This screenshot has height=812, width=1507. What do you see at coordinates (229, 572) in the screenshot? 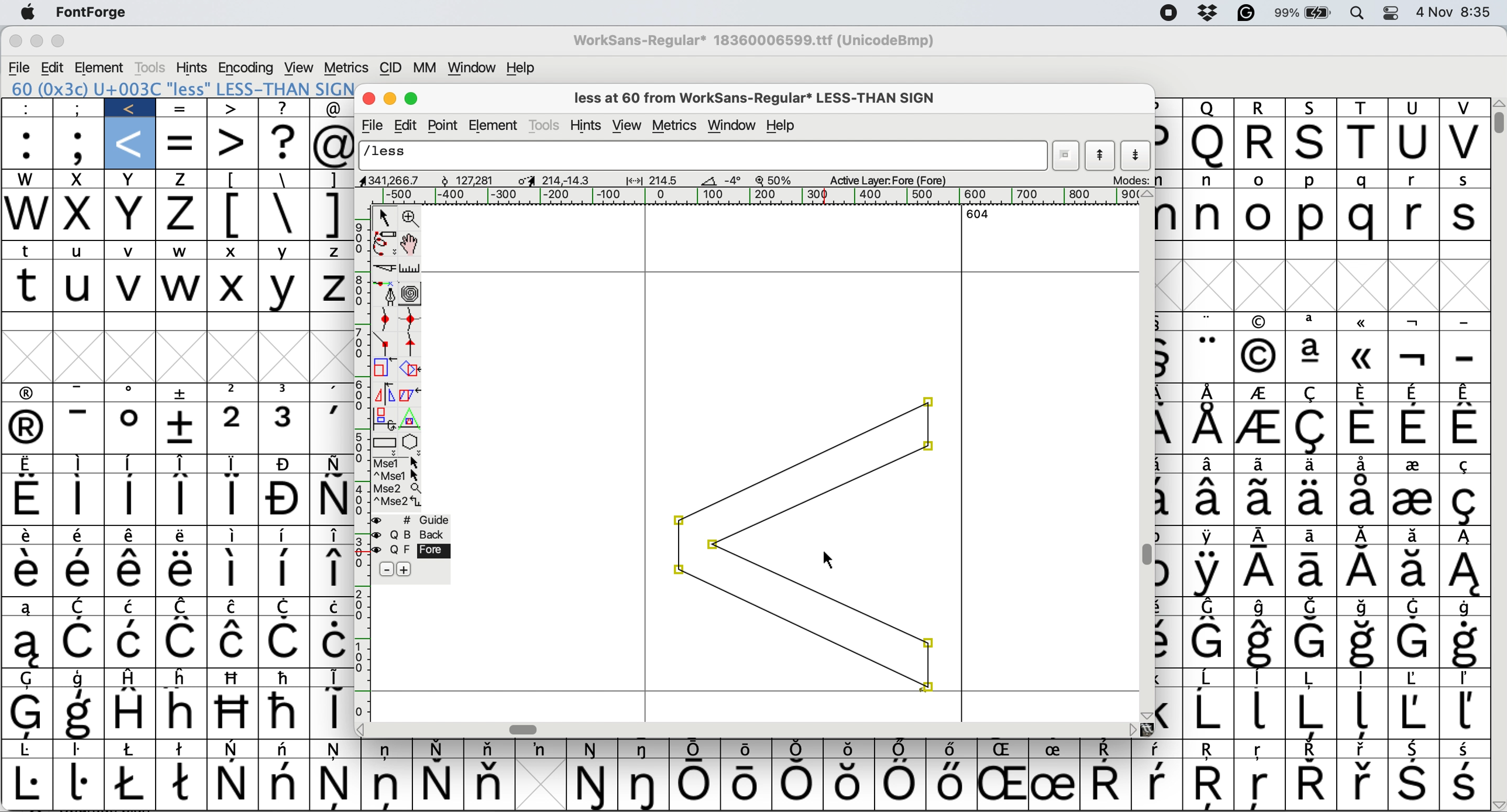
I see `Symbol` at bounding box center [229, 572].